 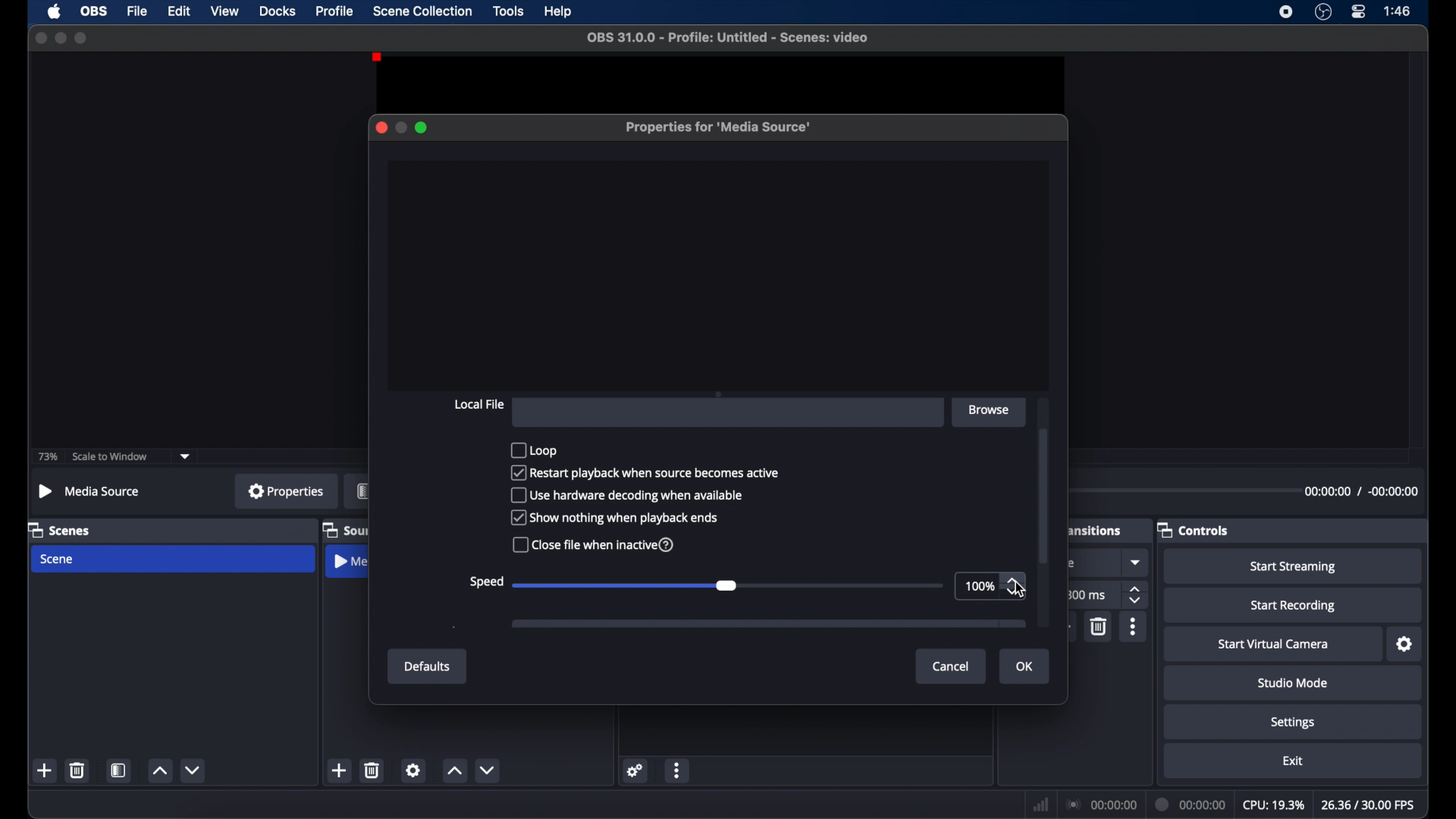 What do you see at coordinates (952, 667) in the screenshot?
I see `cancel` at bounding box center [952, 667].